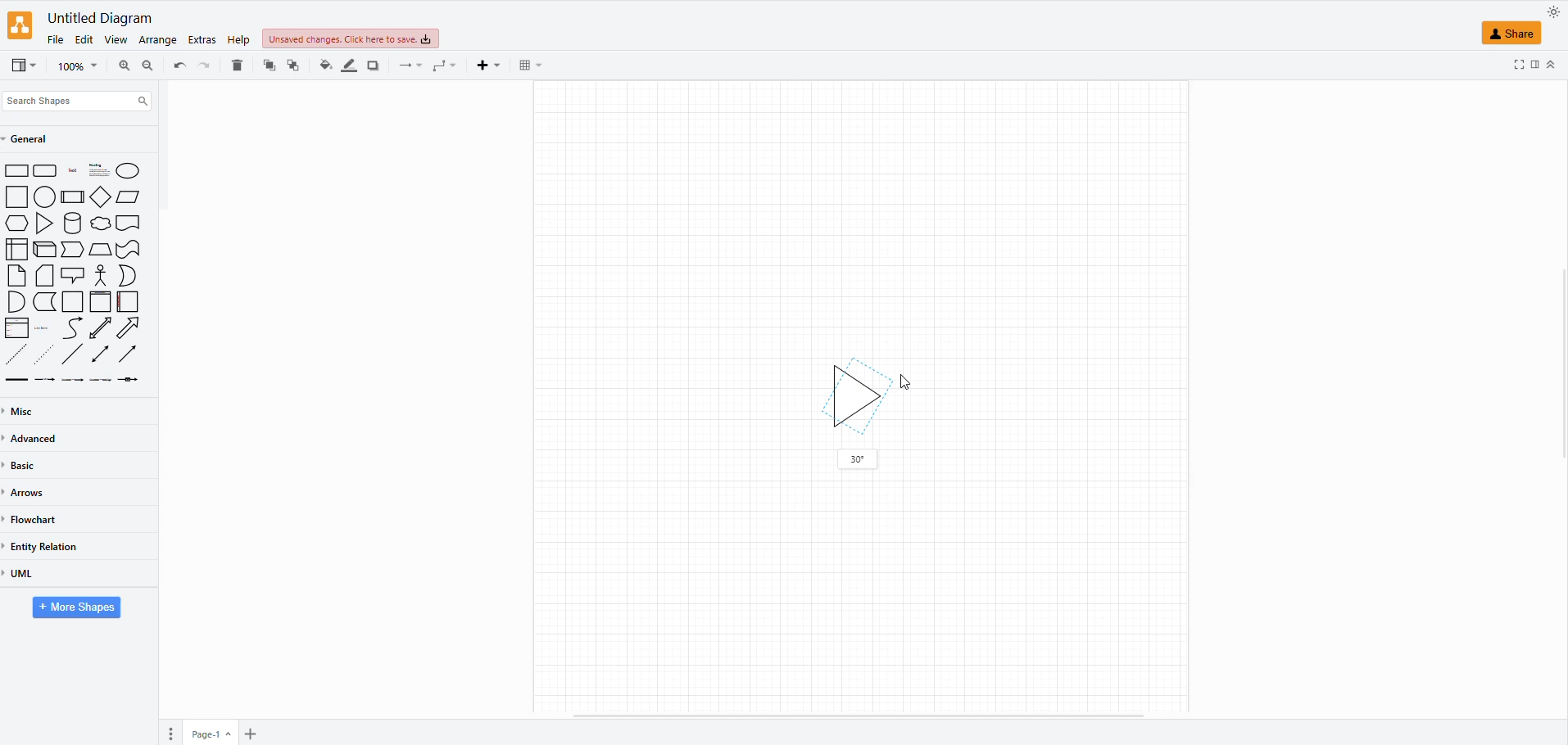 This screenshot has width=1568, height=745. What do you see at coordinates (405, 66) in the screenshot?
I see `connectors` at bounding box center [405, 66].